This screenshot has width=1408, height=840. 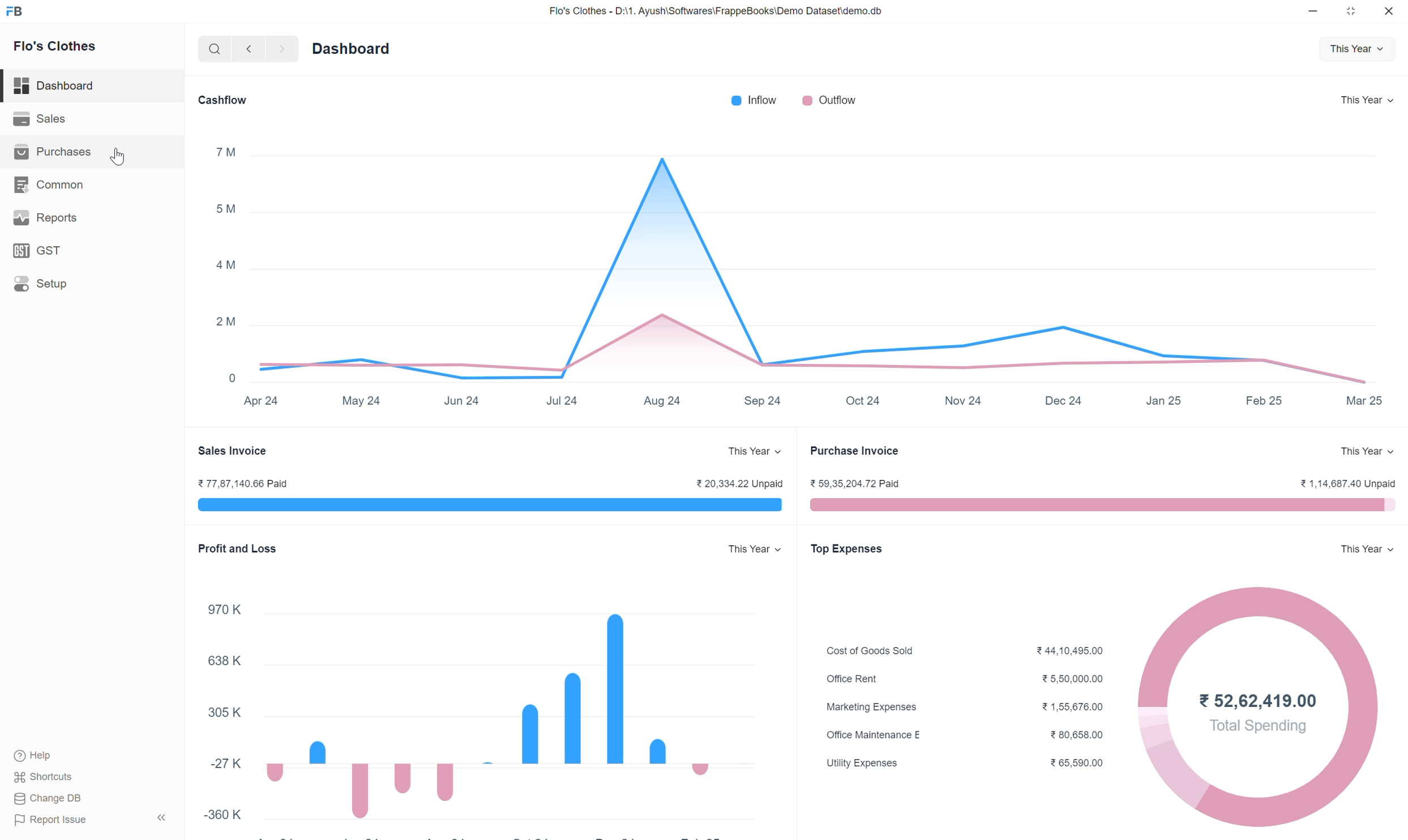 What do you see at coordinates (1077, 735) in the screenshot?
I see `80,658.00` at bounding box center [1077, 735].